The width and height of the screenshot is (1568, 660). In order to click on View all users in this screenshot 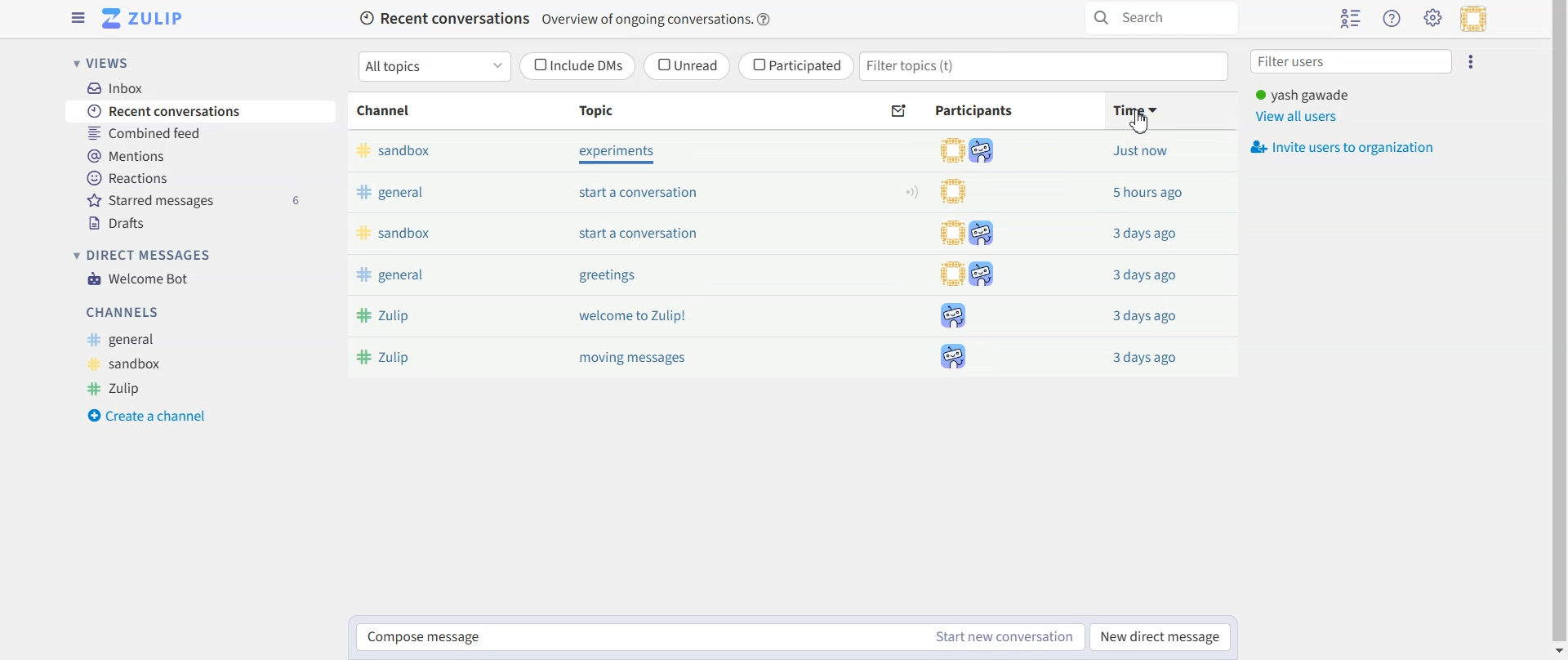, I will do `click(1297, 117)`.